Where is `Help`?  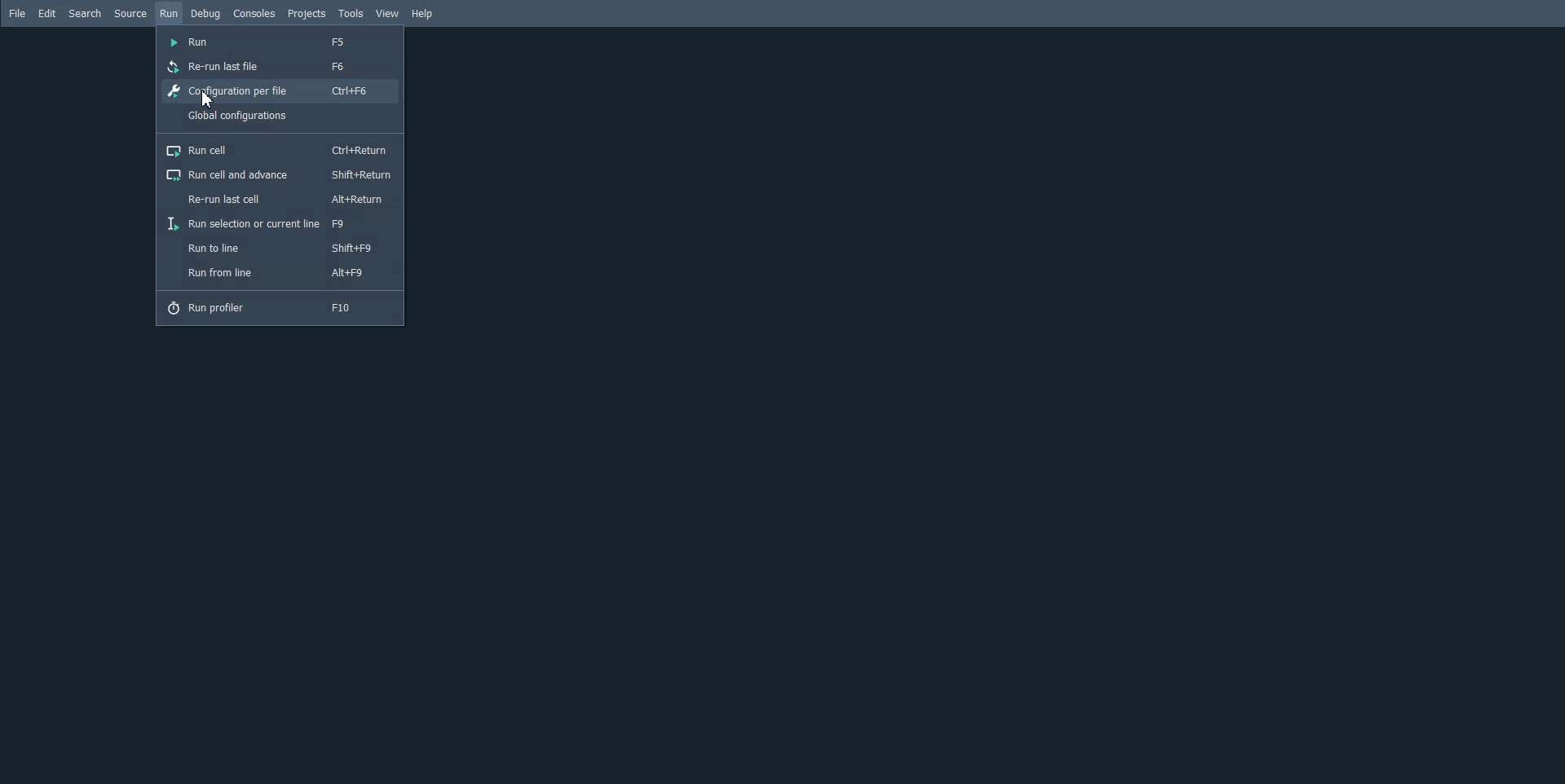
Help is located at coordinates (422, 13).